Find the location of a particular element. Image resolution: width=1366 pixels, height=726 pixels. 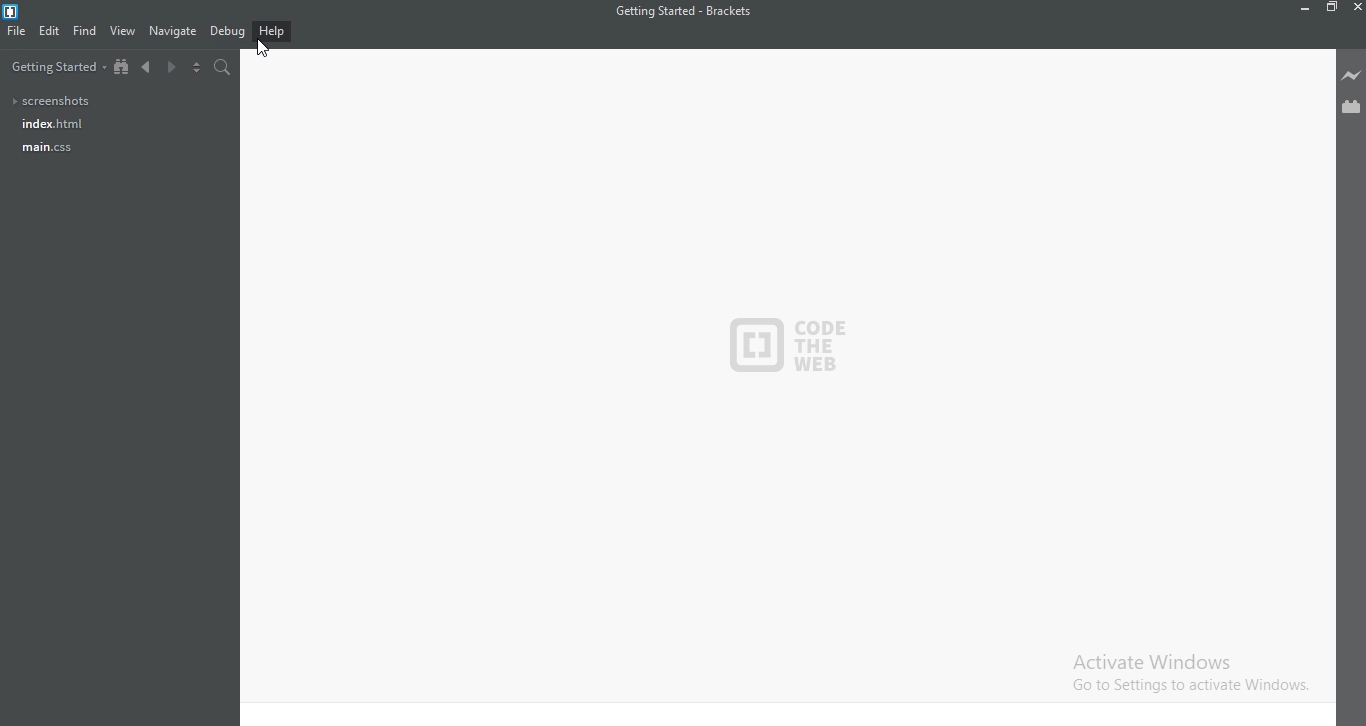

Split the editor vertically or horizontally is located at coordinates (198, 67).